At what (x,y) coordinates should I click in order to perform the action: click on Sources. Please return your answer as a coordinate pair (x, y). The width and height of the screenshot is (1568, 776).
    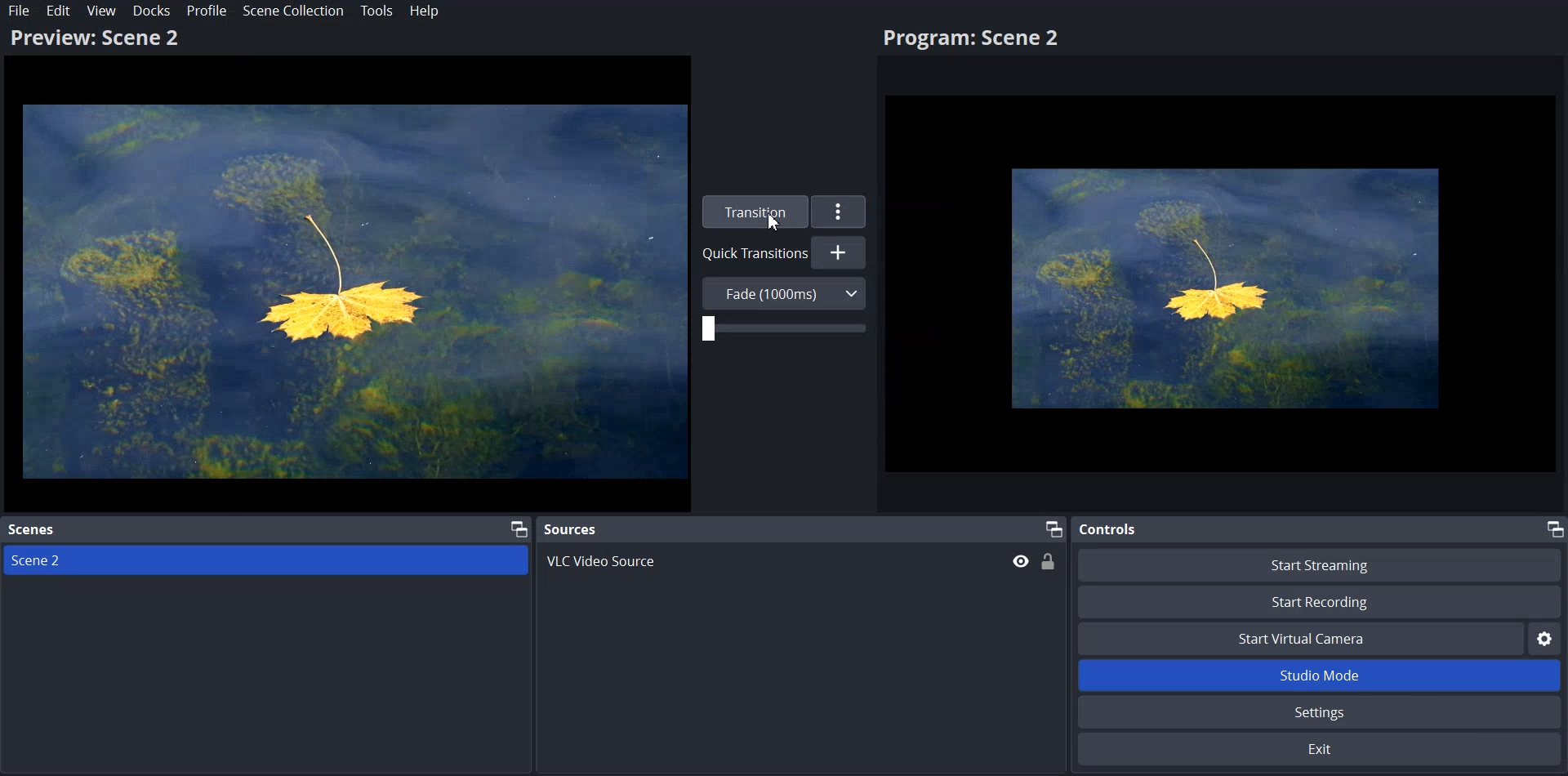
    Looking at the image, I should click on (570, 528).